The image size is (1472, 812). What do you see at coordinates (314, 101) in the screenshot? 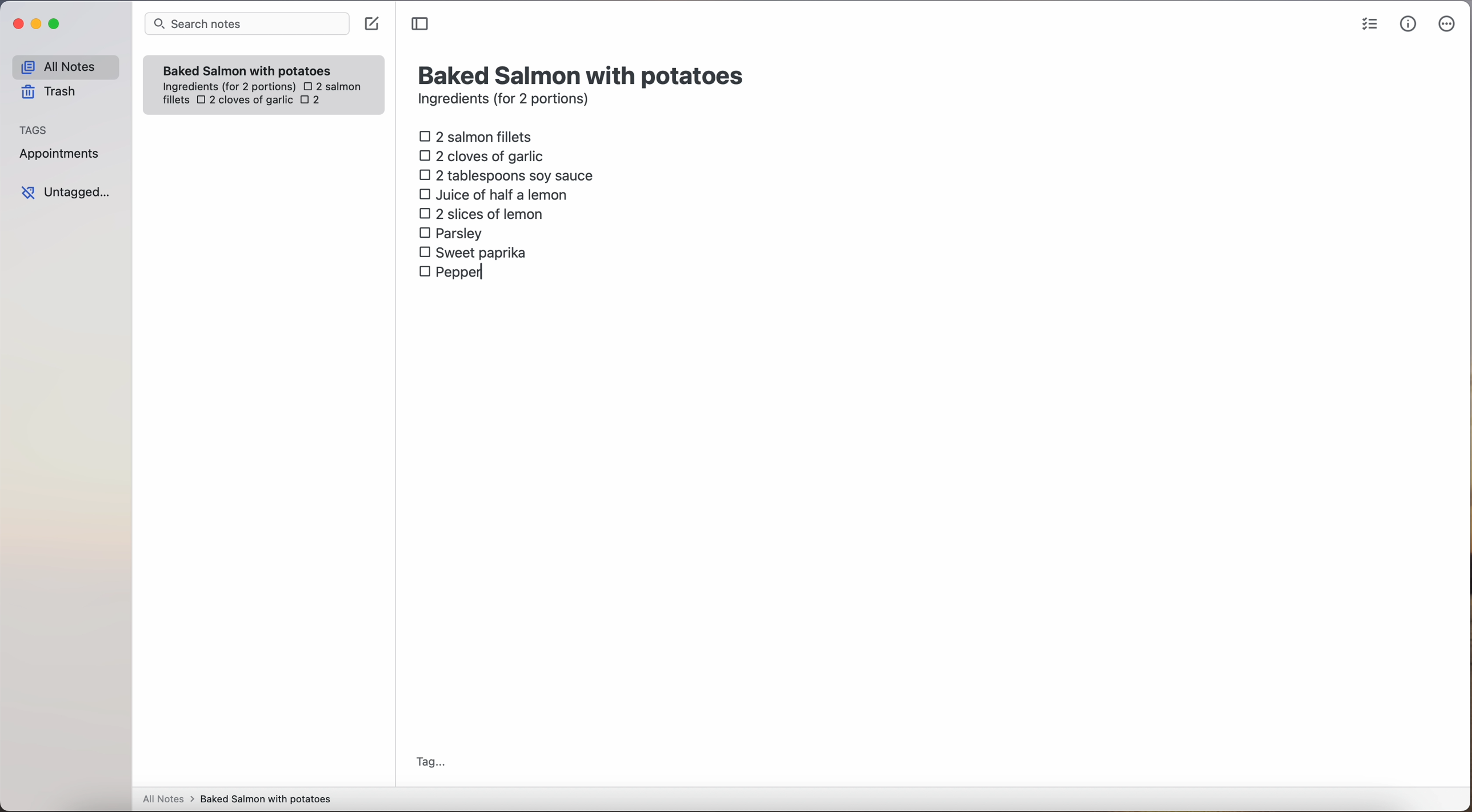
I see `2 ` at bounding box center [314, 101].